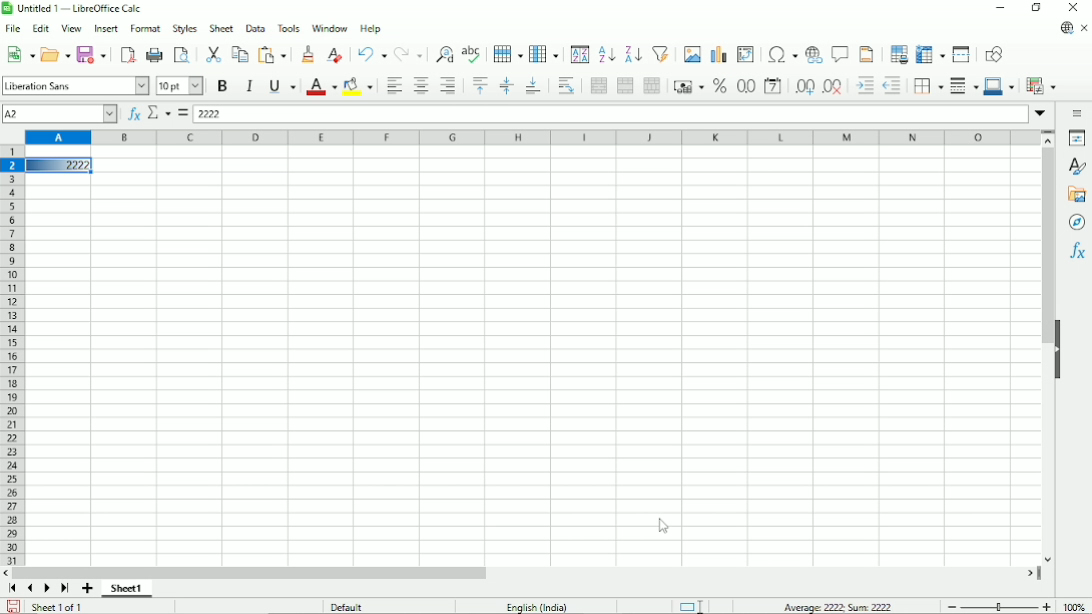  I want to click on Scroll to first sheet, so click(12, 588).